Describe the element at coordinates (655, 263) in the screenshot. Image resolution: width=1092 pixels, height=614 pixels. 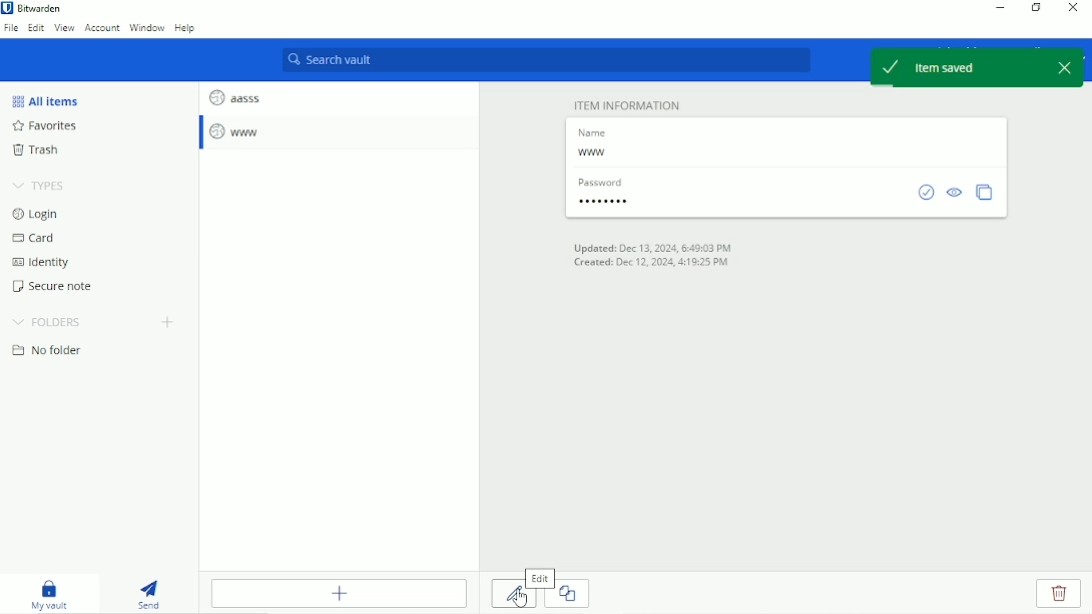
I see `Created on` at that location.